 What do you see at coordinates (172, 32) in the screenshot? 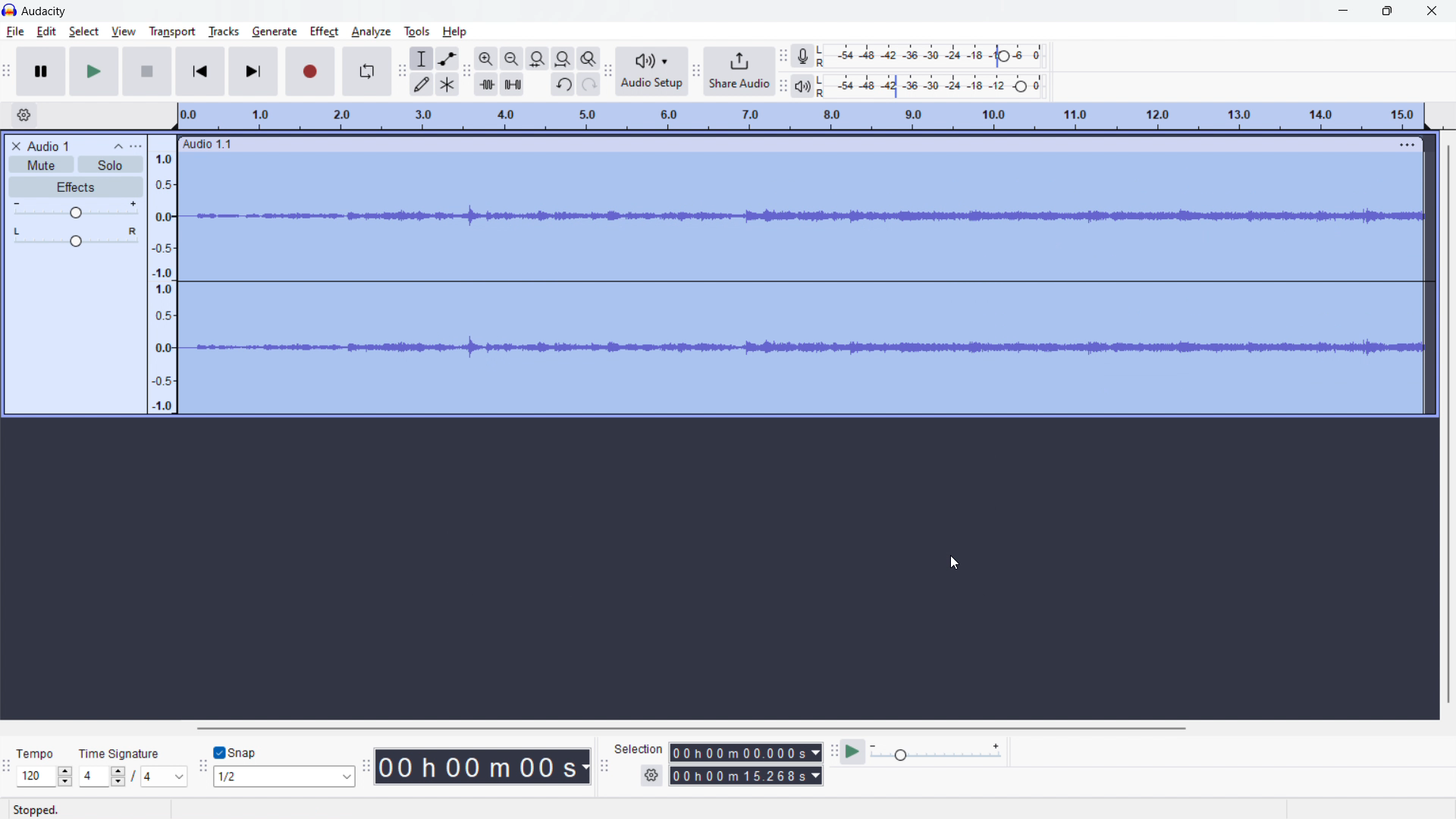
I see `transport` at bounding box center [172, 32].